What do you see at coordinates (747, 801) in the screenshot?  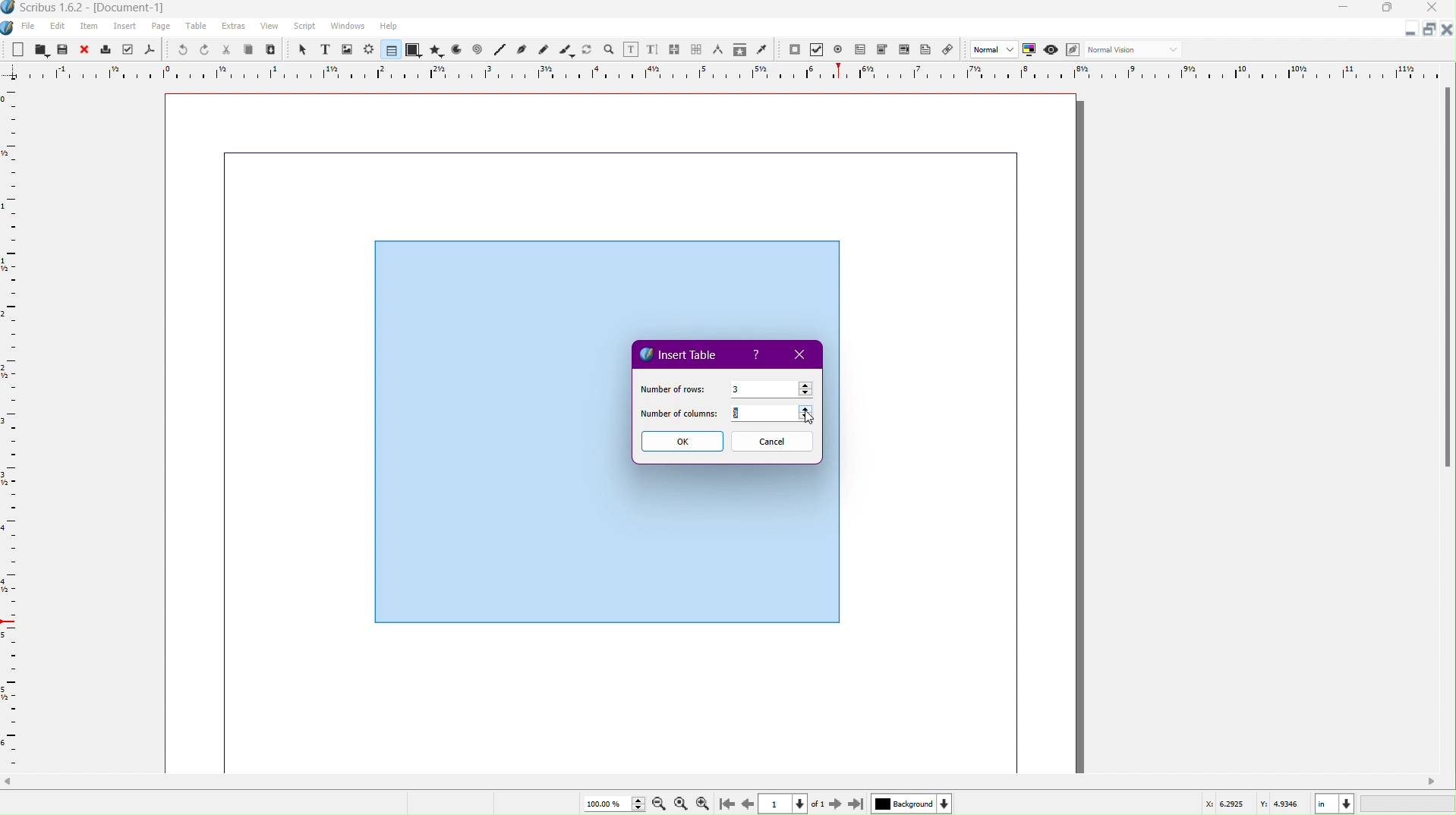 I see `Go to Previous Page` at bounding box center [747, 801].